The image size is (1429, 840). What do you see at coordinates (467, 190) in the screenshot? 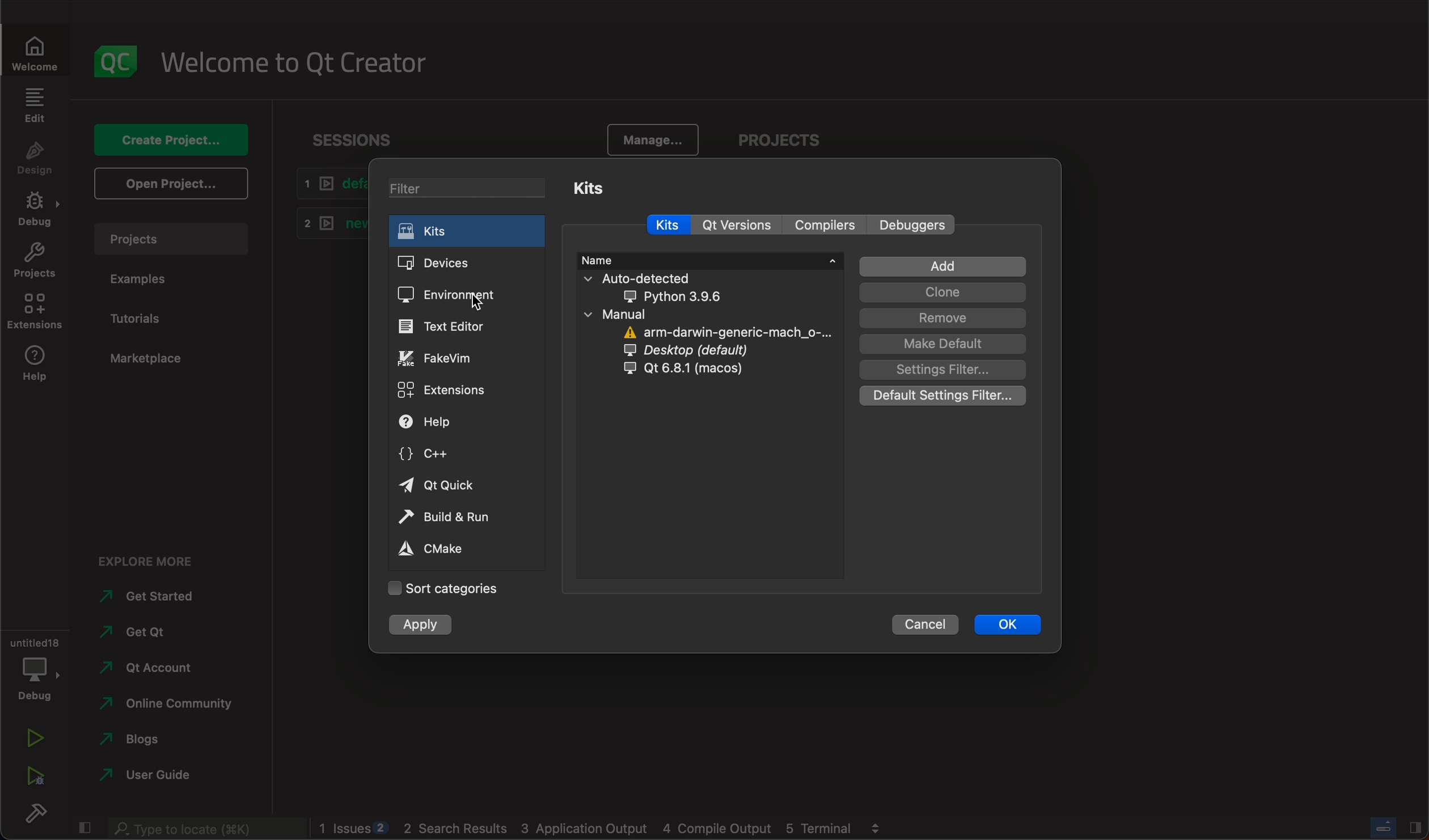
I see `filter` at bounding box center [467, 190].